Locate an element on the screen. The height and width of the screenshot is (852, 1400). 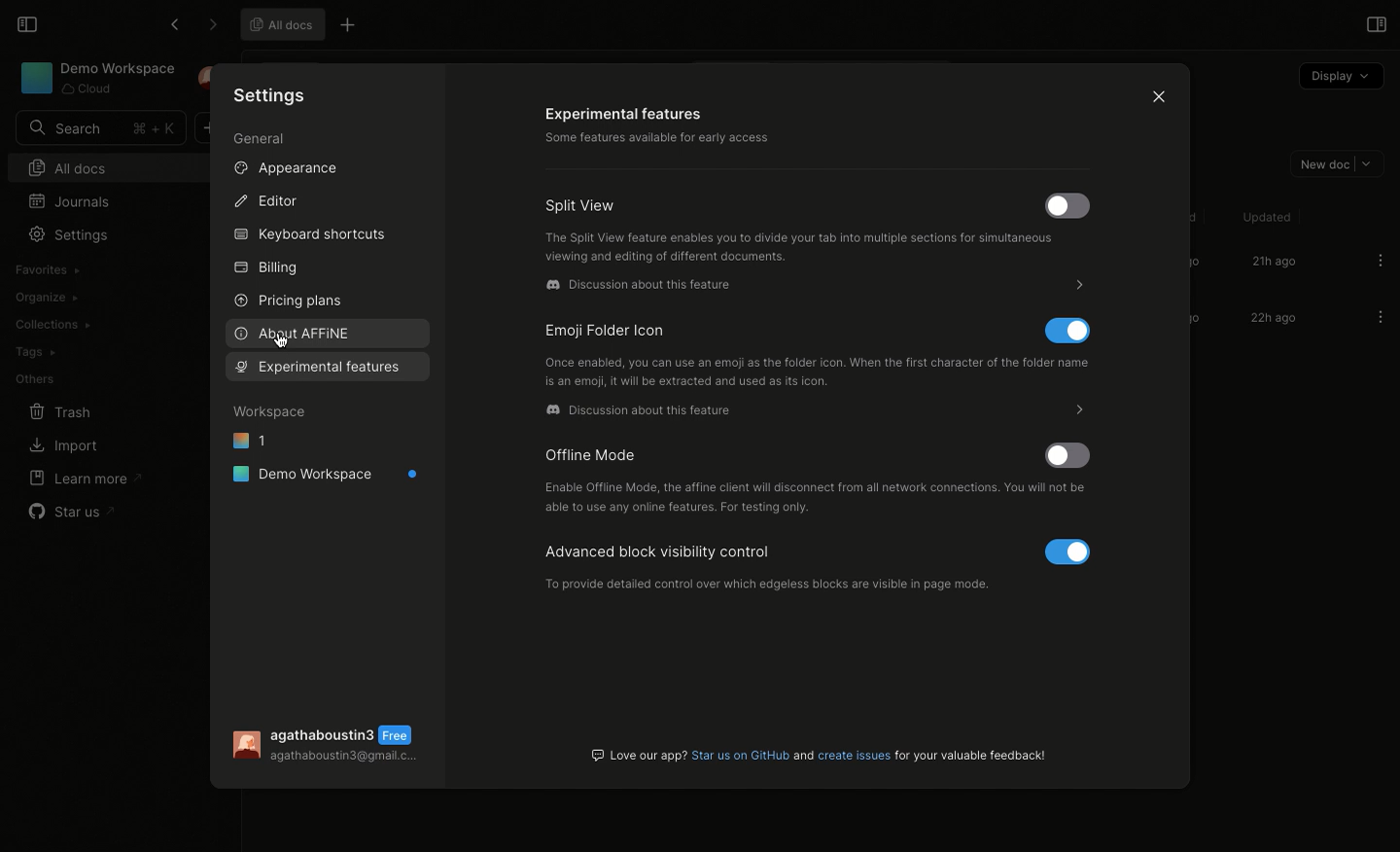
Create workspace is located at coordinates (95, 296).